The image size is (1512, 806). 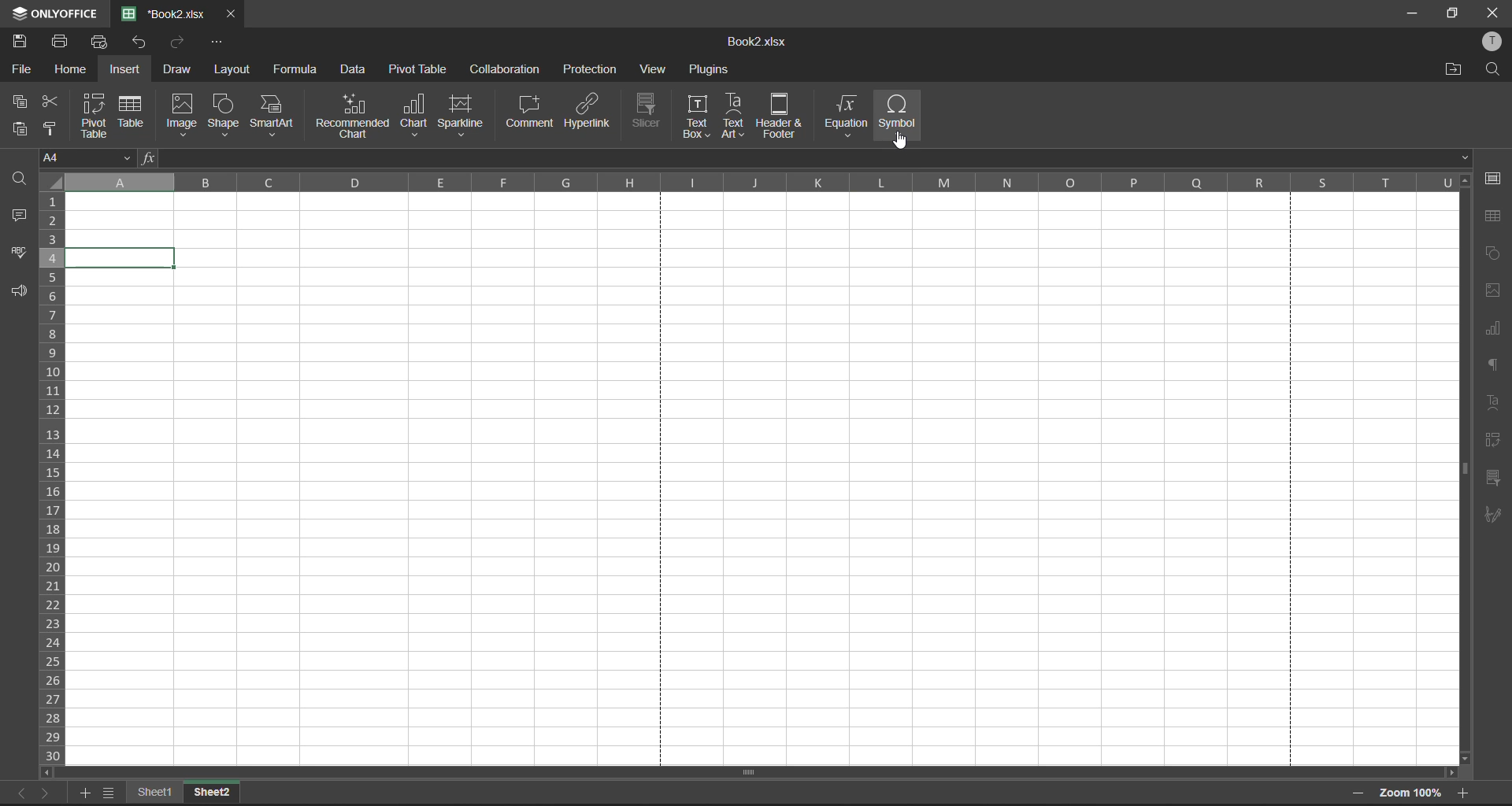 I want to click on plugins, so click(x=707, y=70).